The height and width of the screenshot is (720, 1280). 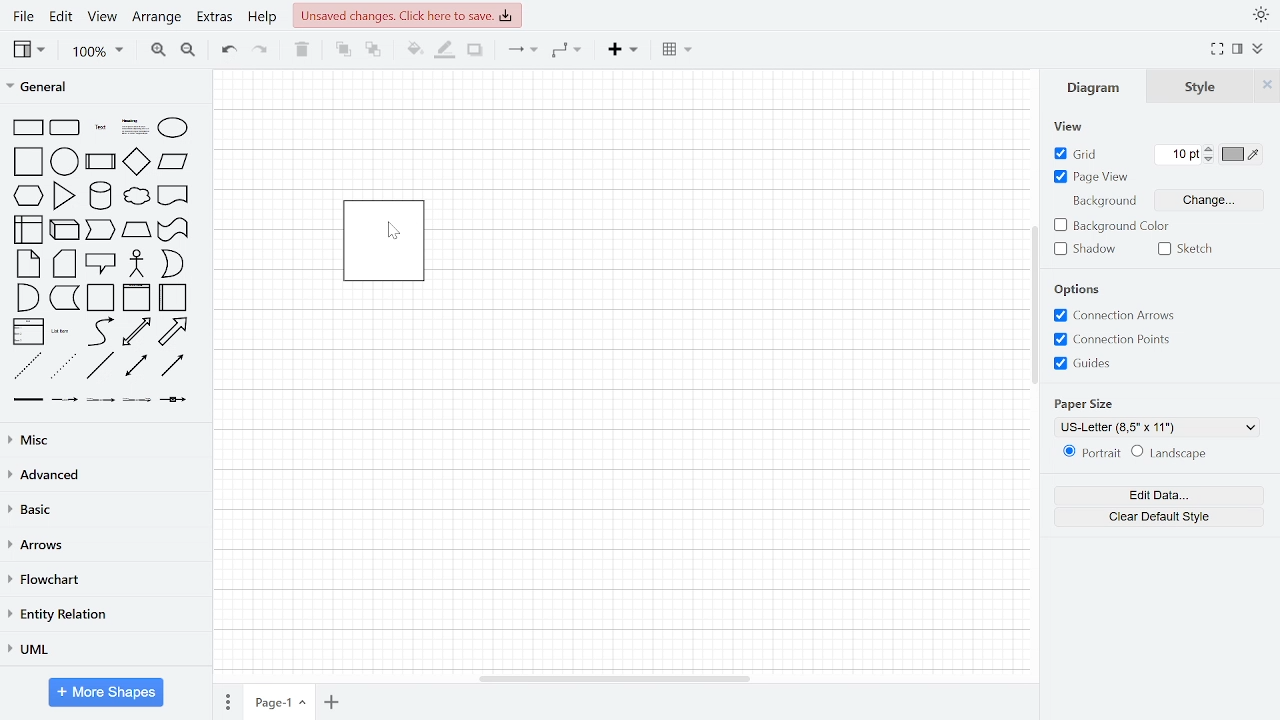 I want to click on undo, so click(x=226, y=51).